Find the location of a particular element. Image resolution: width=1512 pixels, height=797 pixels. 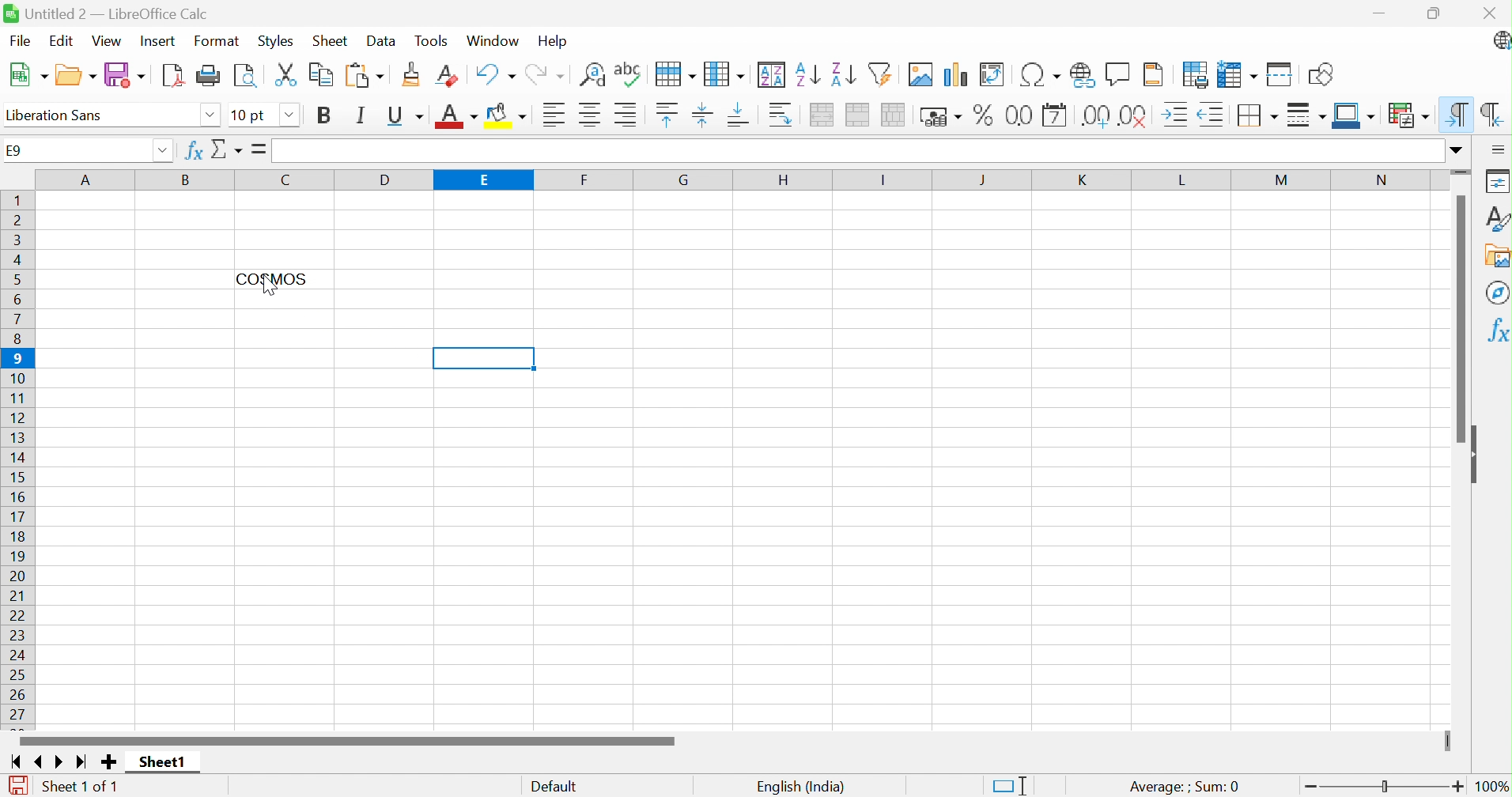

Split windows is located at coordinates (1280, 74).